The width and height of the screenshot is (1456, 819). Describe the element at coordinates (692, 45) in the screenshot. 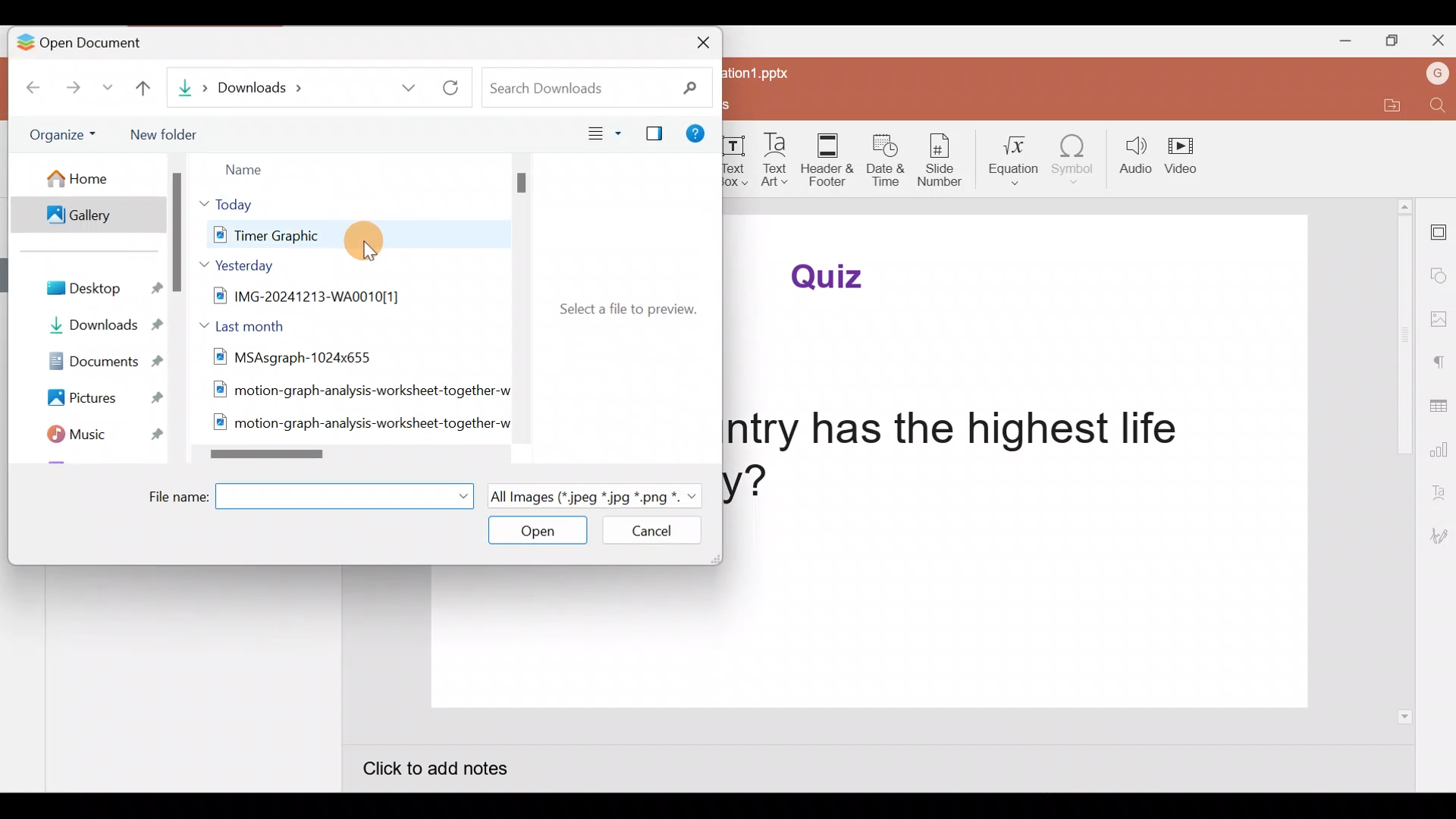

I see `Close document` at that location.